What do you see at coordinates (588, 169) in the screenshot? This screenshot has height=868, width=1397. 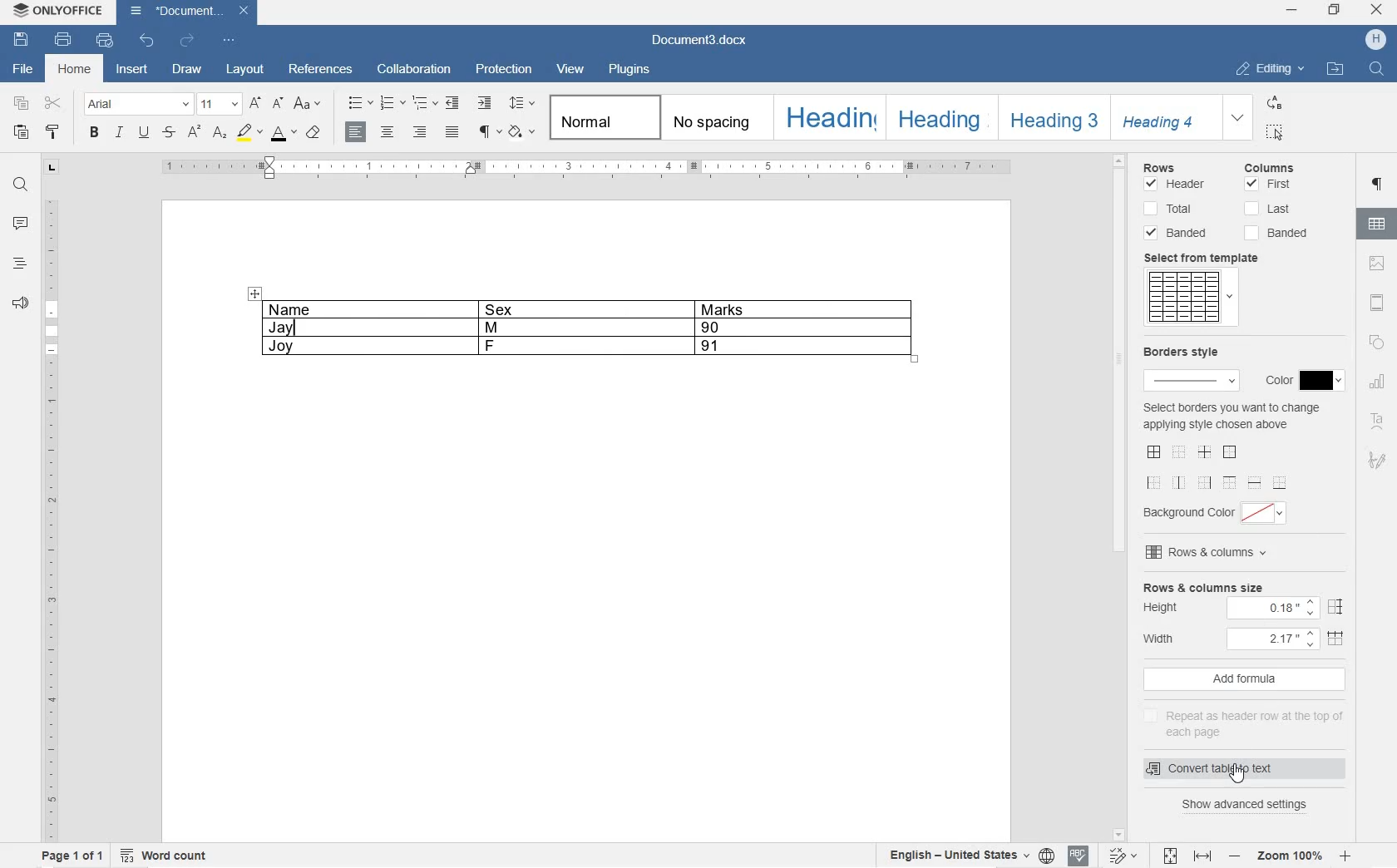 I see `RULER` at bounding box center [588, 169].